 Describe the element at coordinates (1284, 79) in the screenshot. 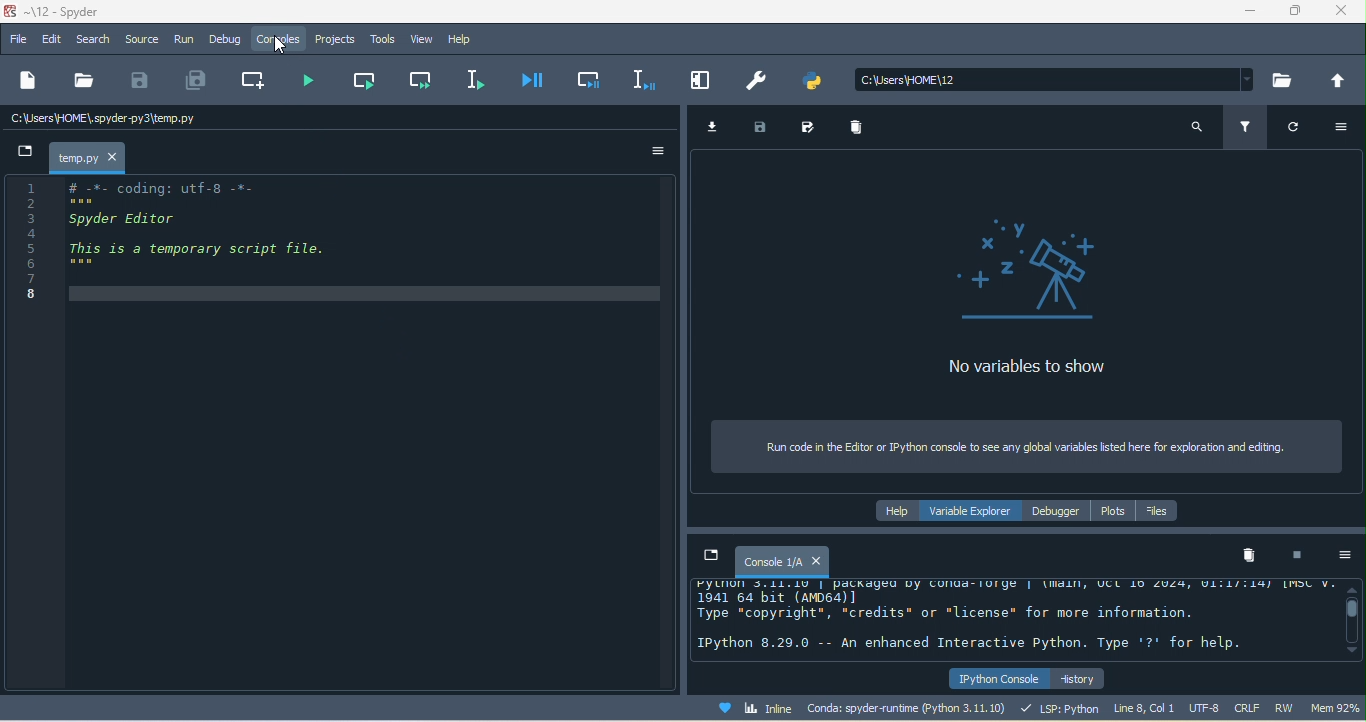

I see `browse` at that location.